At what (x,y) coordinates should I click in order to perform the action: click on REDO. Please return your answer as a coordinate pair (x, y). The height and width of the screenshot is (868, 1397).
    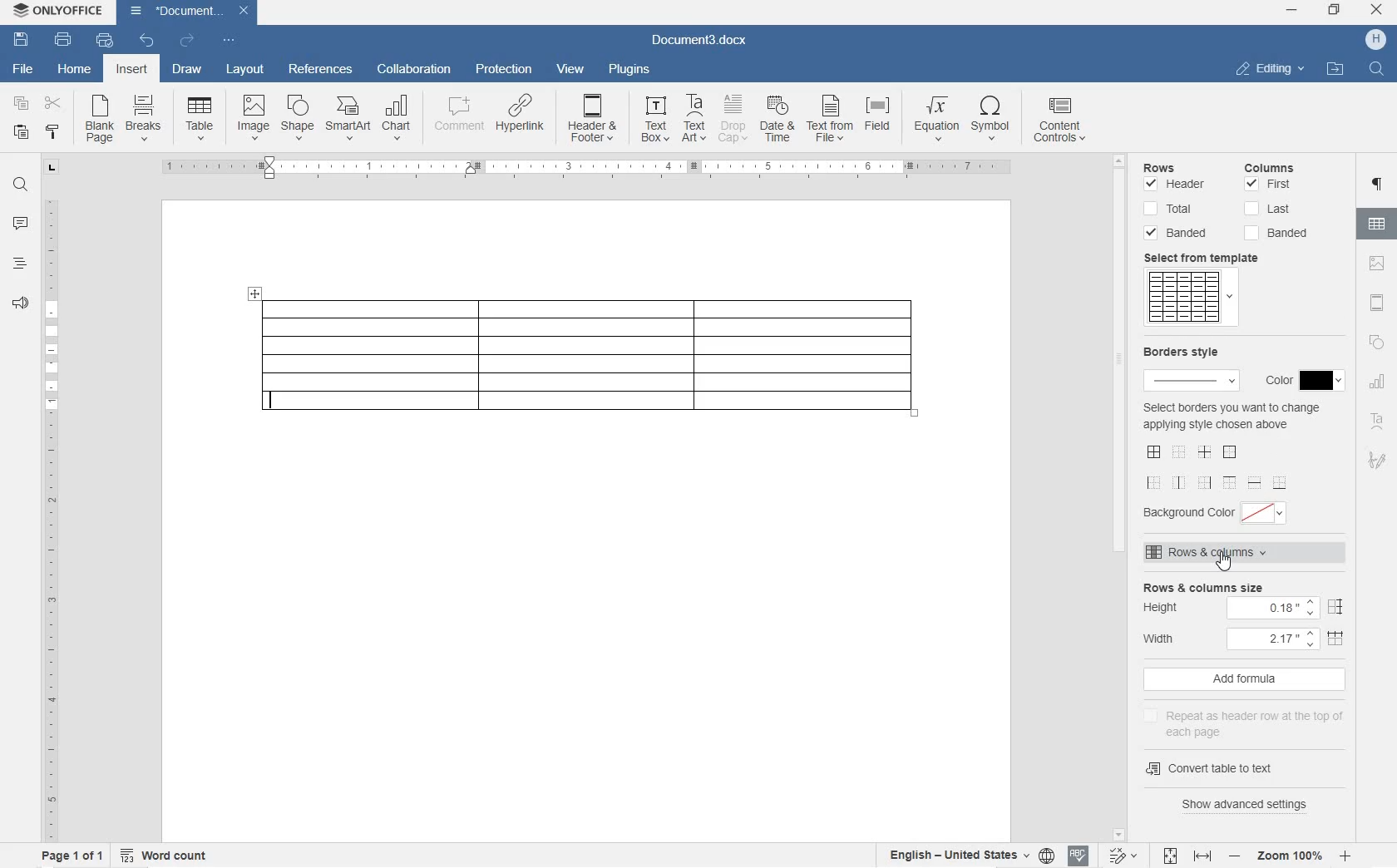
    Looking at the image, I should click on (186, 40).